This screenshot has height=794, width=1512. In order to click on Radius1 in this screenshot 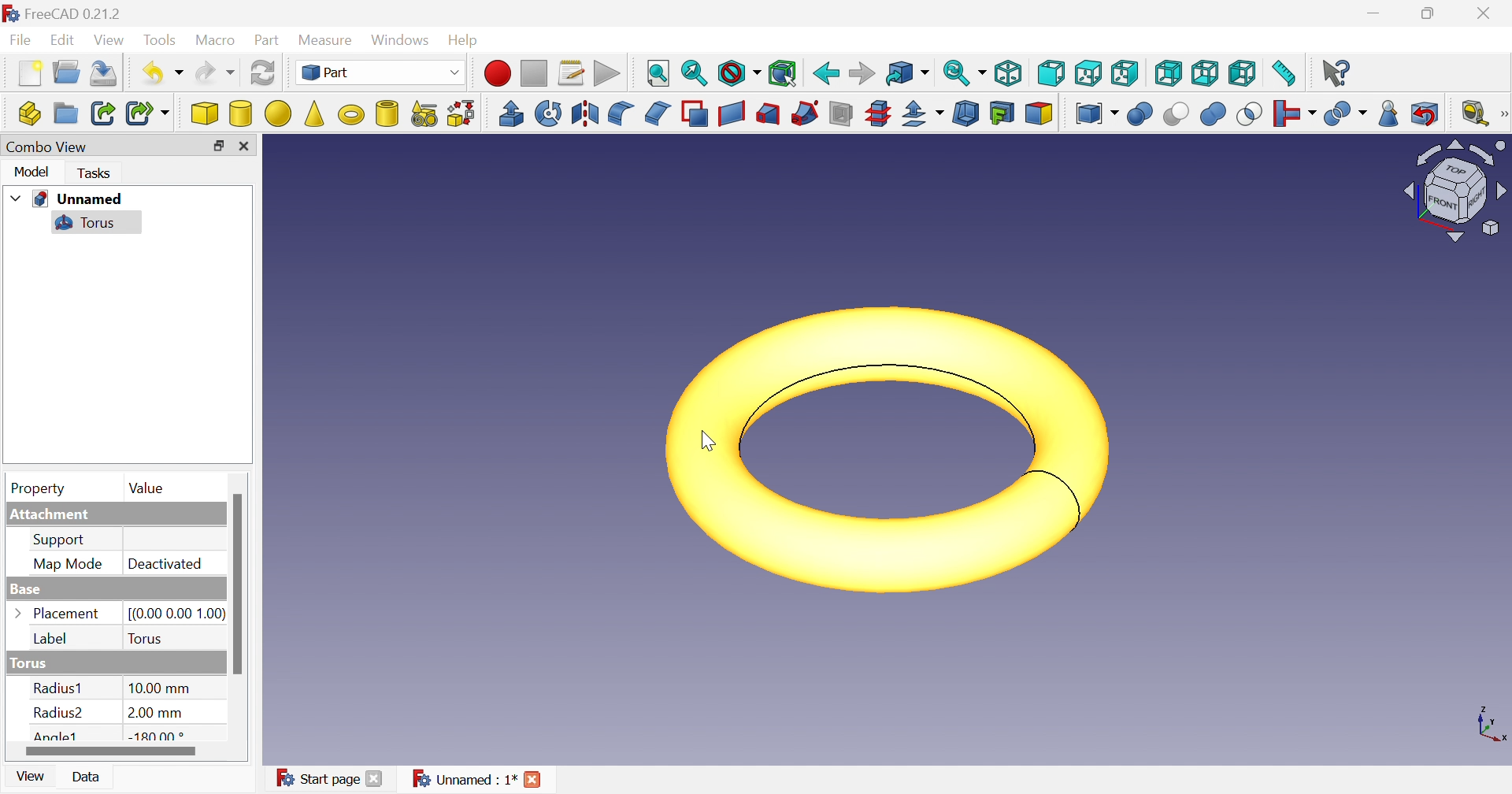, I will do `click(60, 688)`.